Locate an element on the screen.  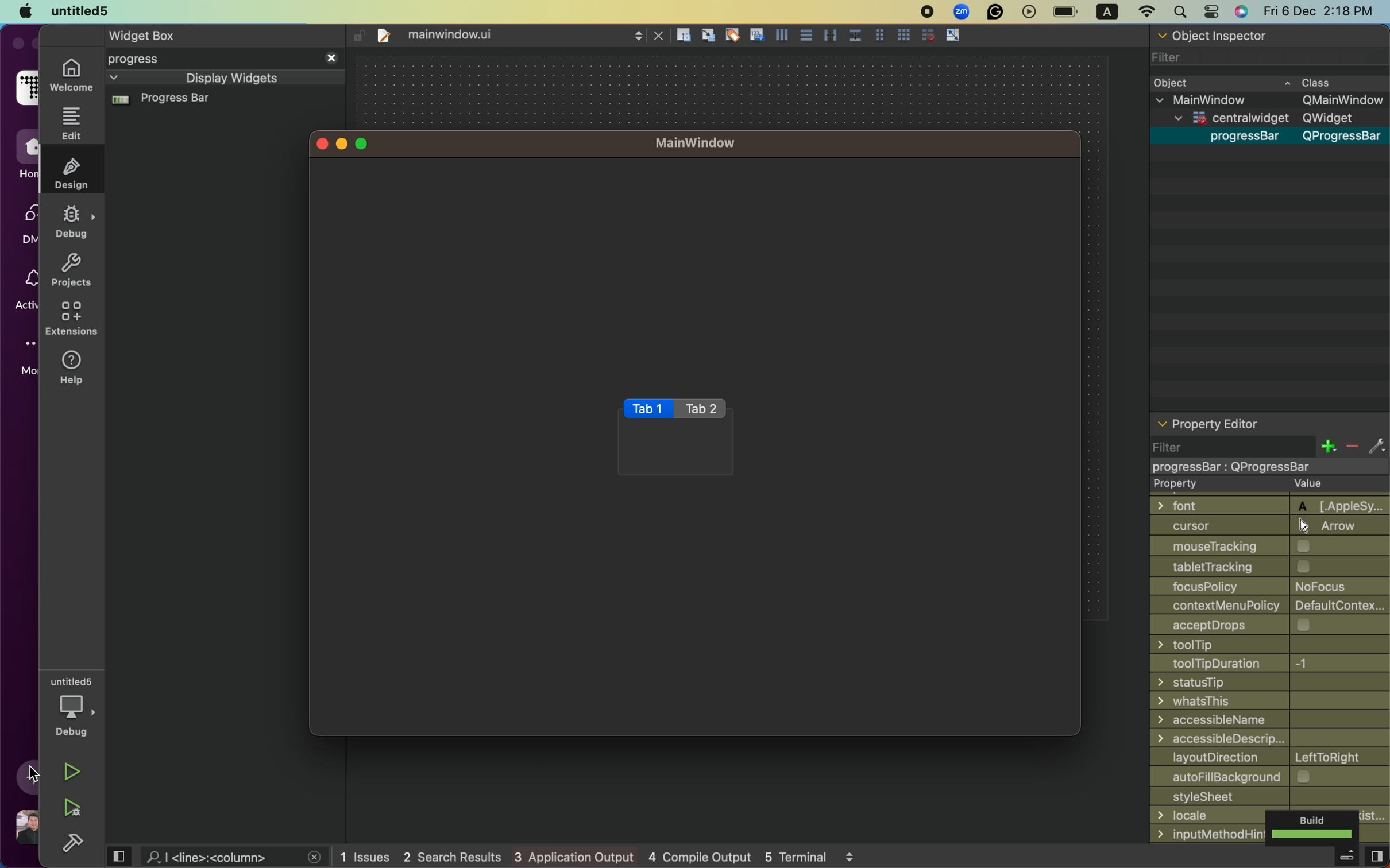
close is located at coordinates (313, 858).